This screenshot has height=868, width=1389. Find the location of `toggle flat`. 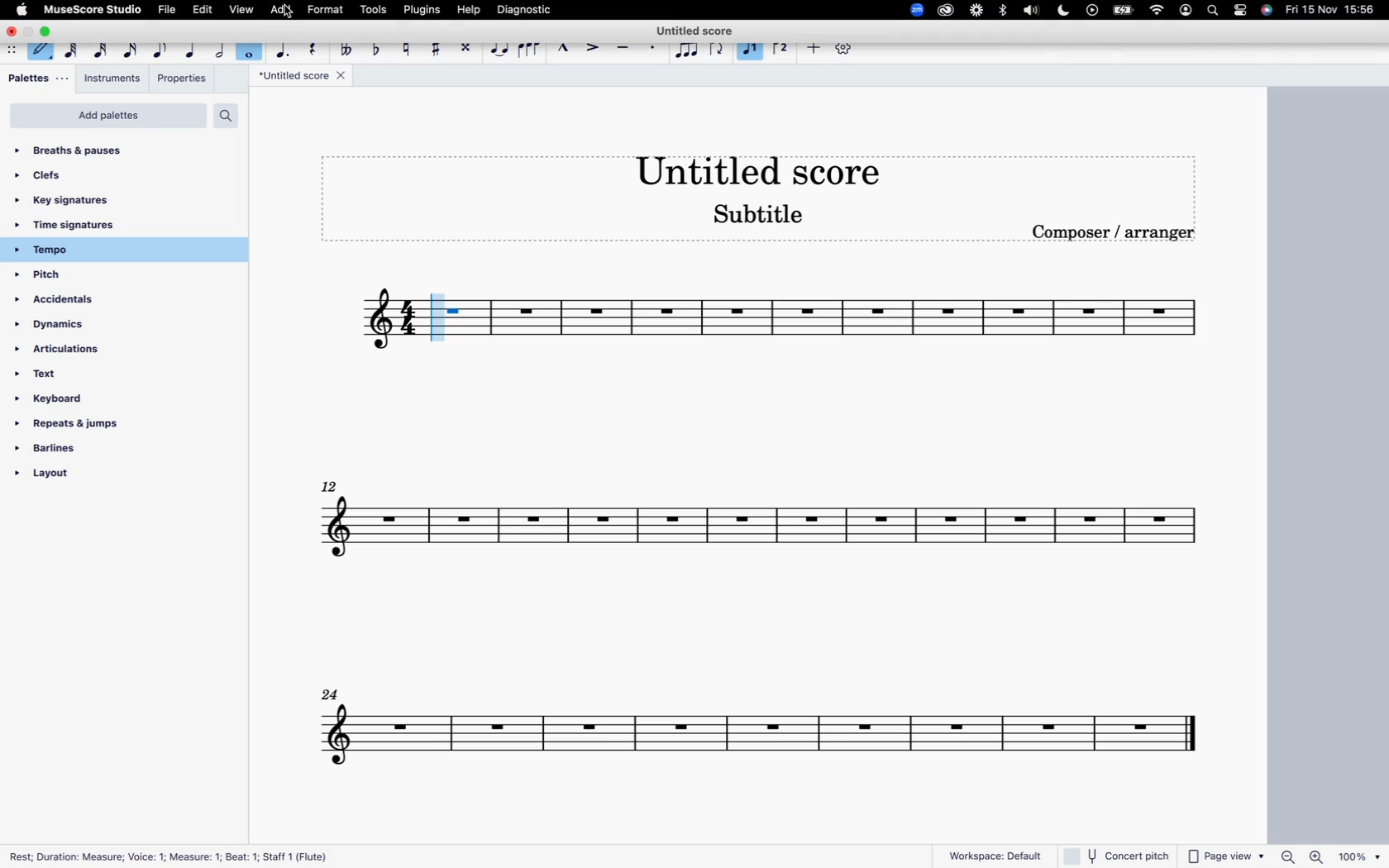

toggle flat is located at coordinates (376, 47).